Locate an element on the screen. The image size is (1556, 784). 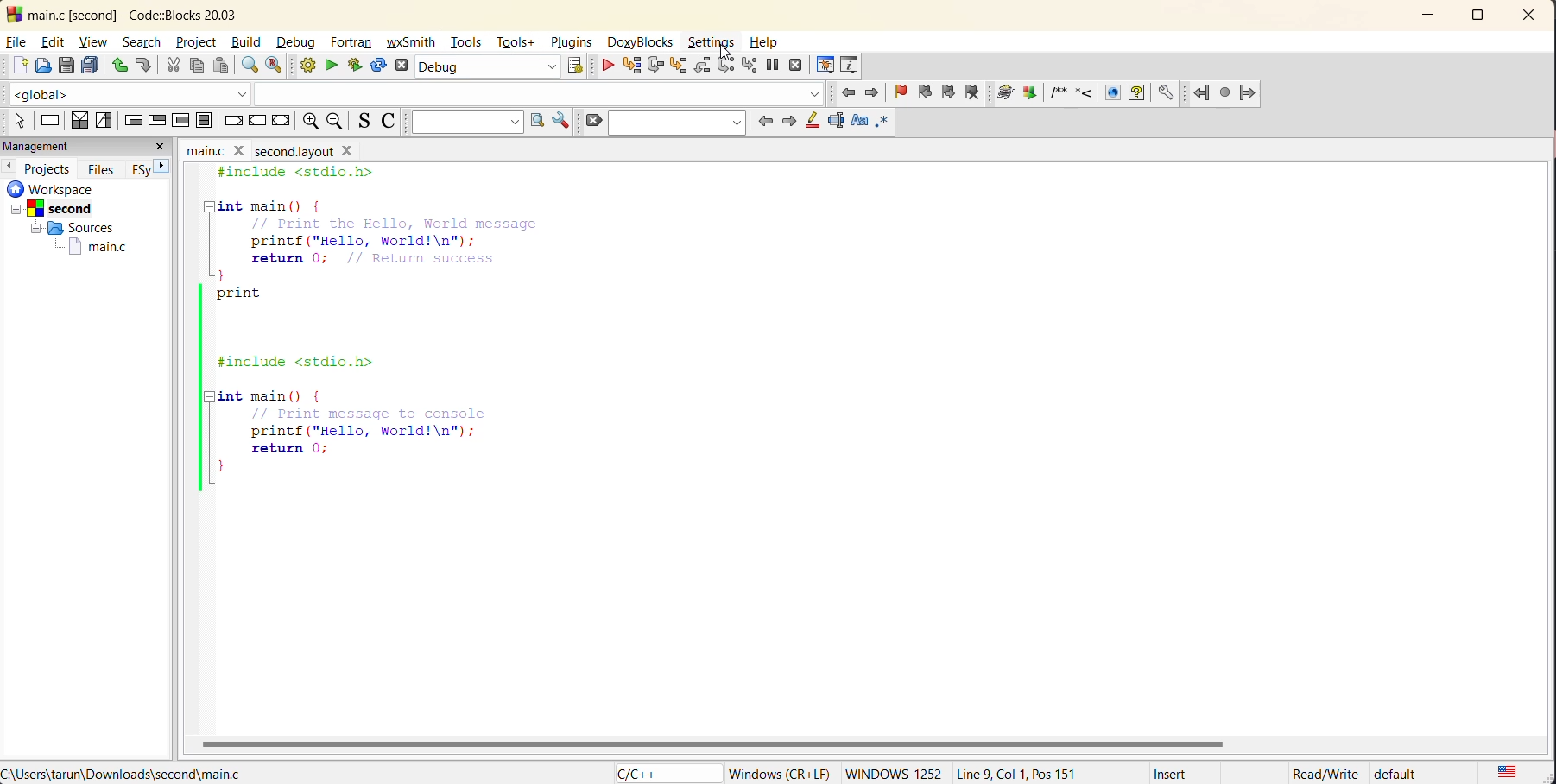
last jump is located at coordinates (1224, 93).